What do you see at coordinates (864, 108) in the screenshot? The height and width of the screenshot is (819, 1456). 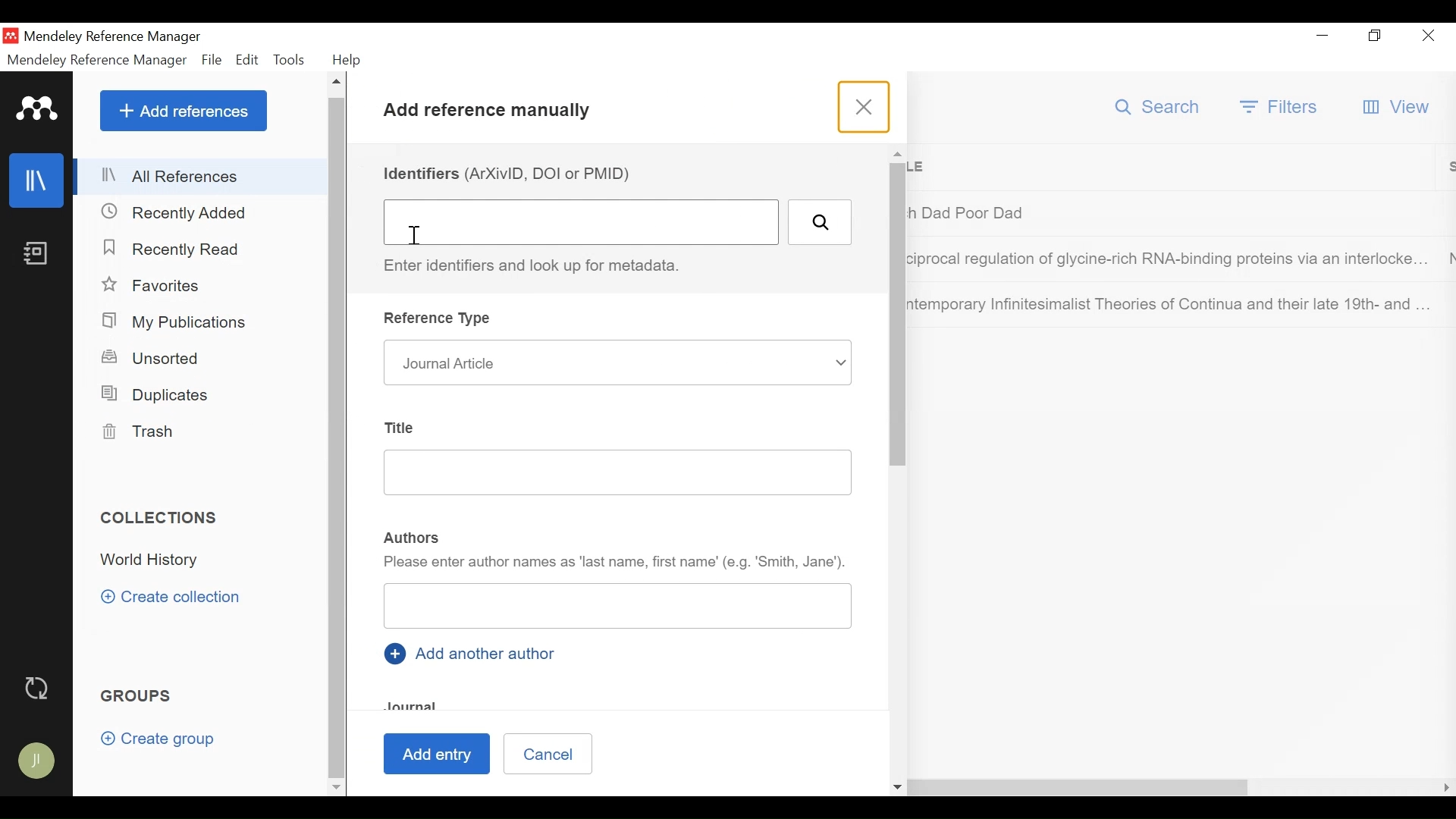 I see `Close` at bounding box center [864, 108].